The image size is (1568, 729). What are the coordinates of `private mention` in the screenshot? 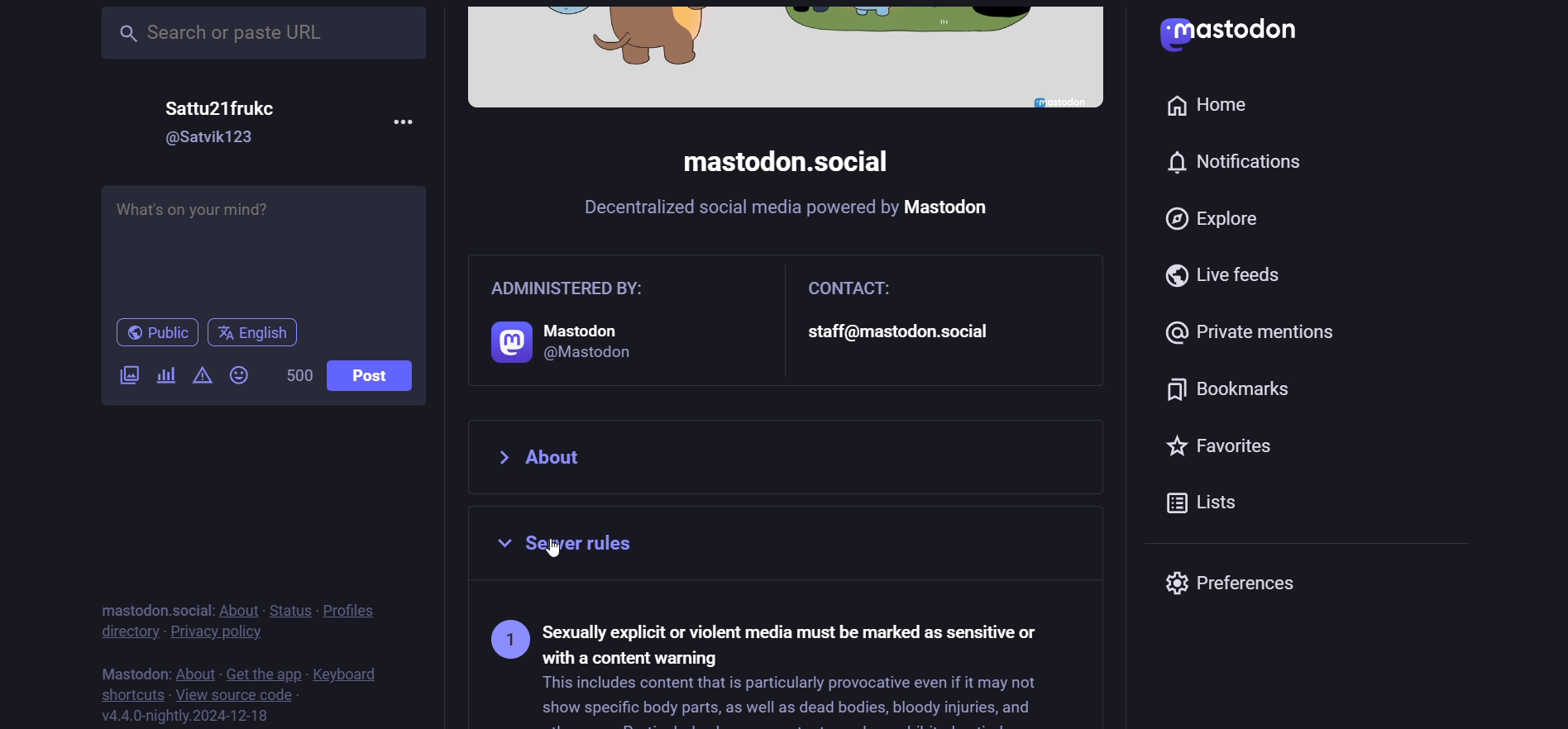 It's located at (1262, 327).